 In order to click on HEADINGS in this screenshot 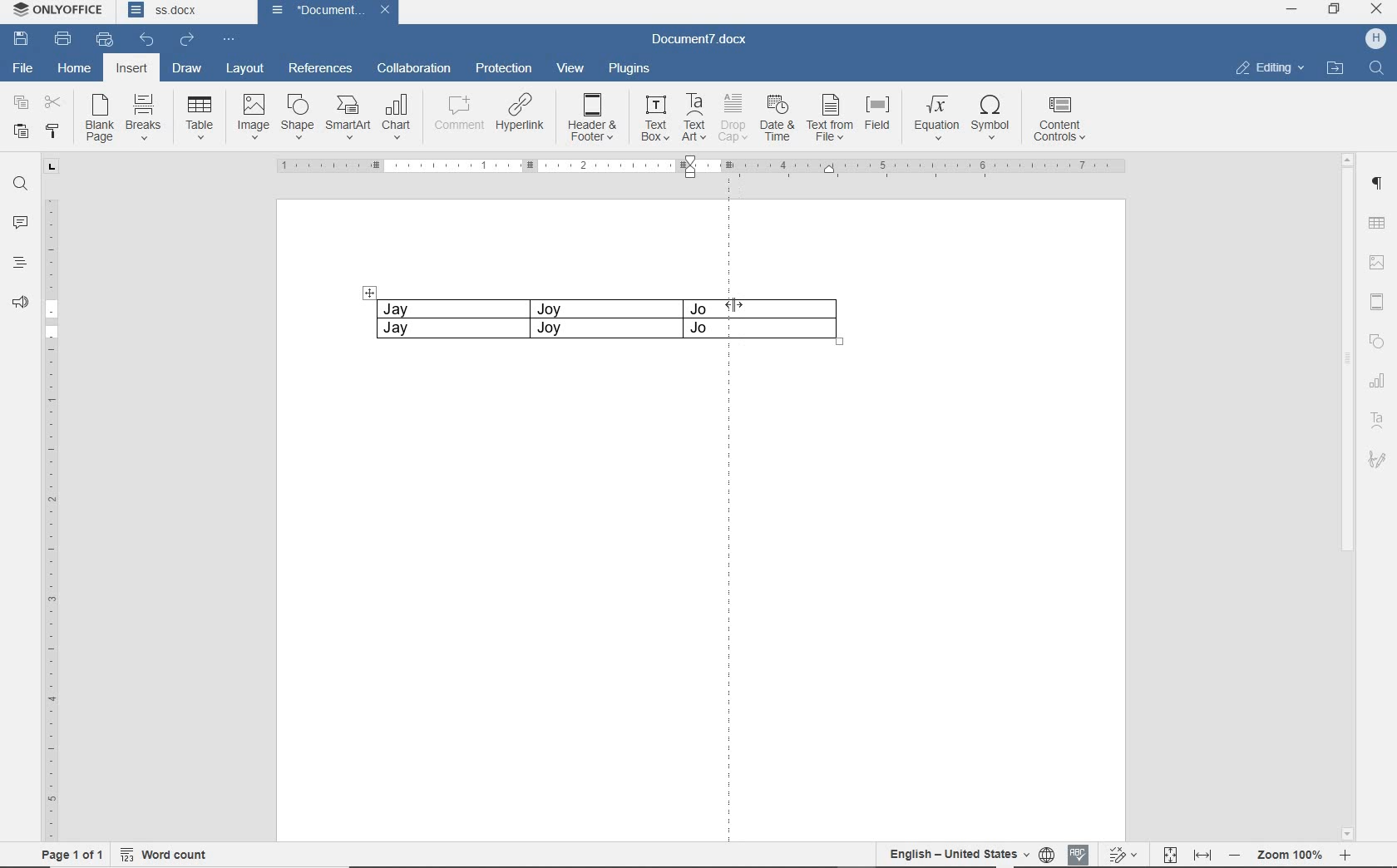, I will do `click(19, 264)`.